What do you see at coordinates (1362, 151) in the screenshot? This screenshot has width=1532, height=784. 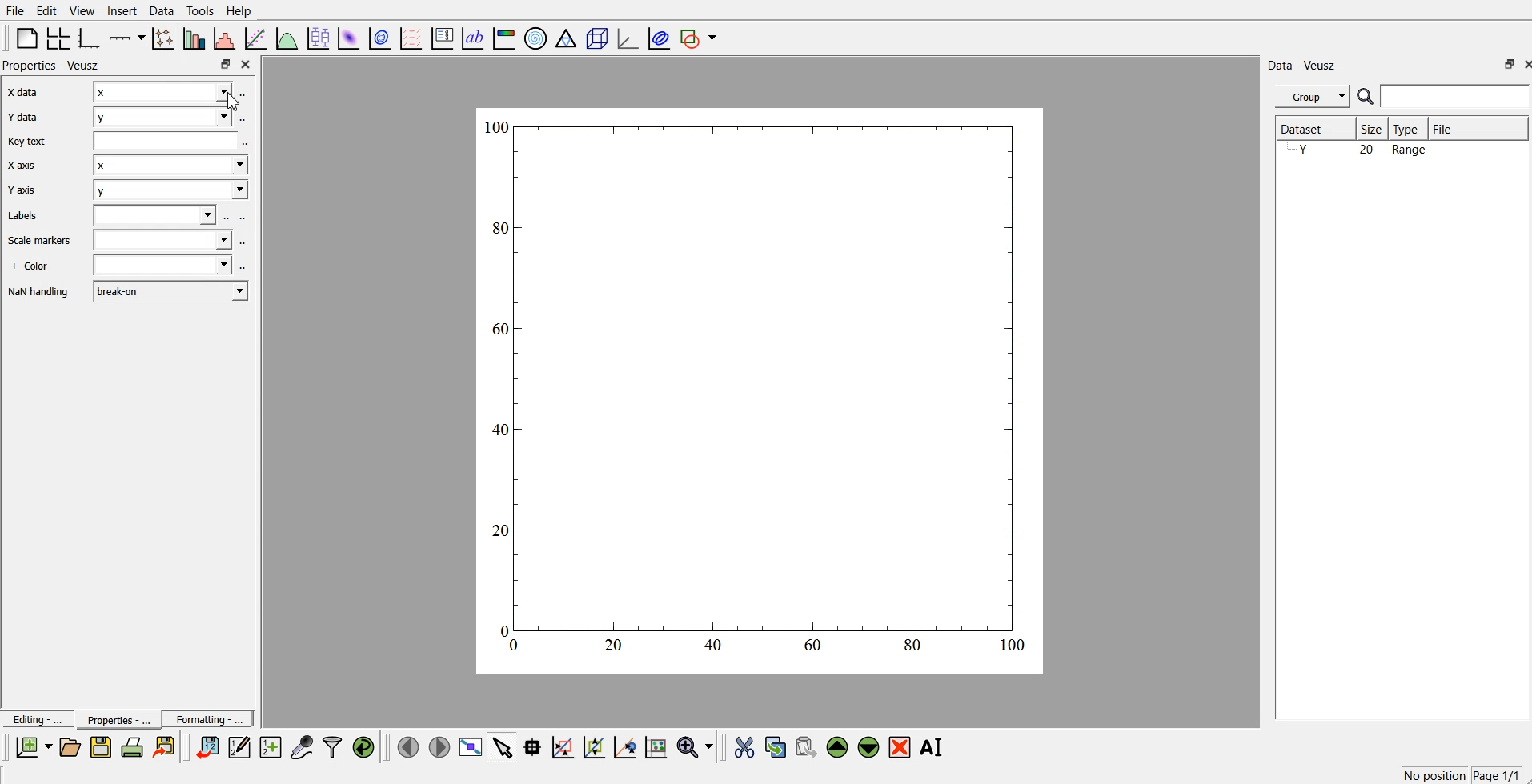 I see `y 20 range` at bounding box center [1362, 151].